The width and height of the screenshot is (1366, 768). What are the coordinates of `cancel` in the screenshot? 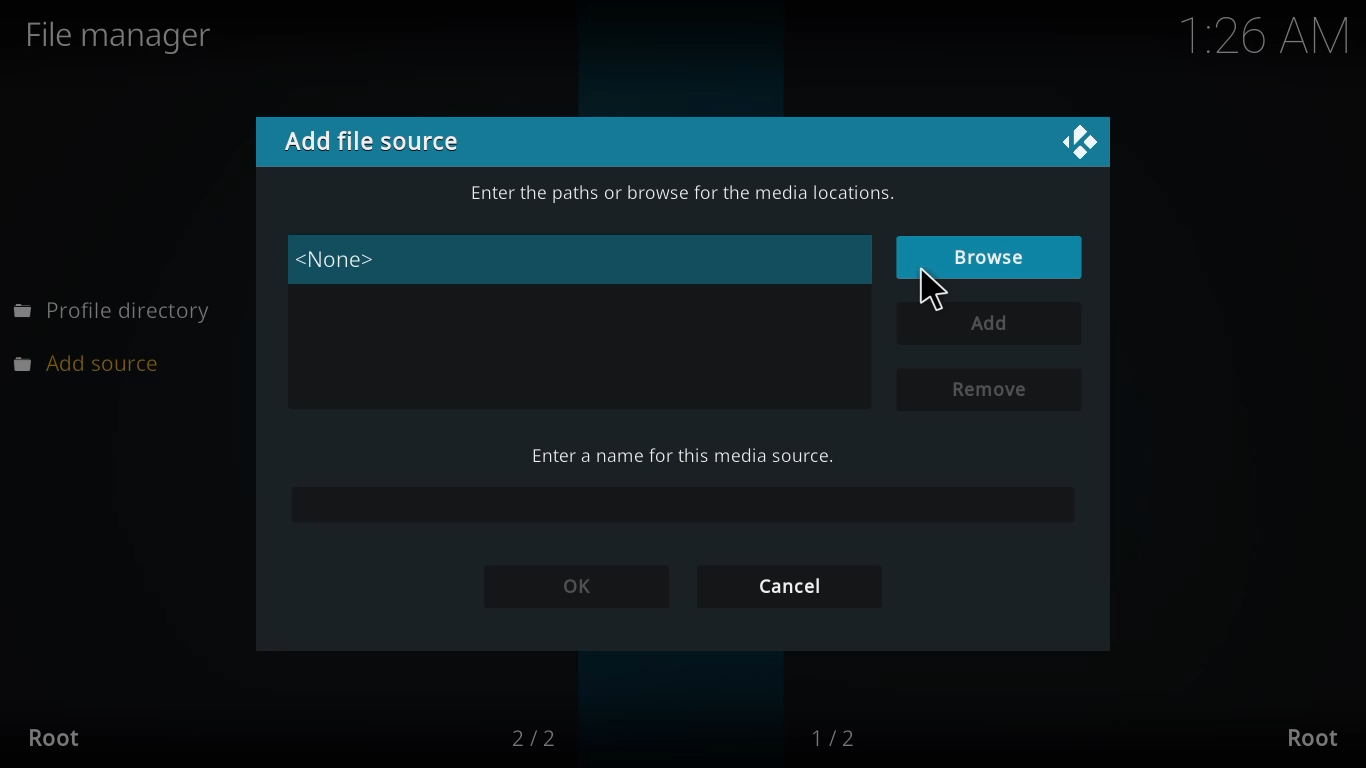 It's located at (789, 582).